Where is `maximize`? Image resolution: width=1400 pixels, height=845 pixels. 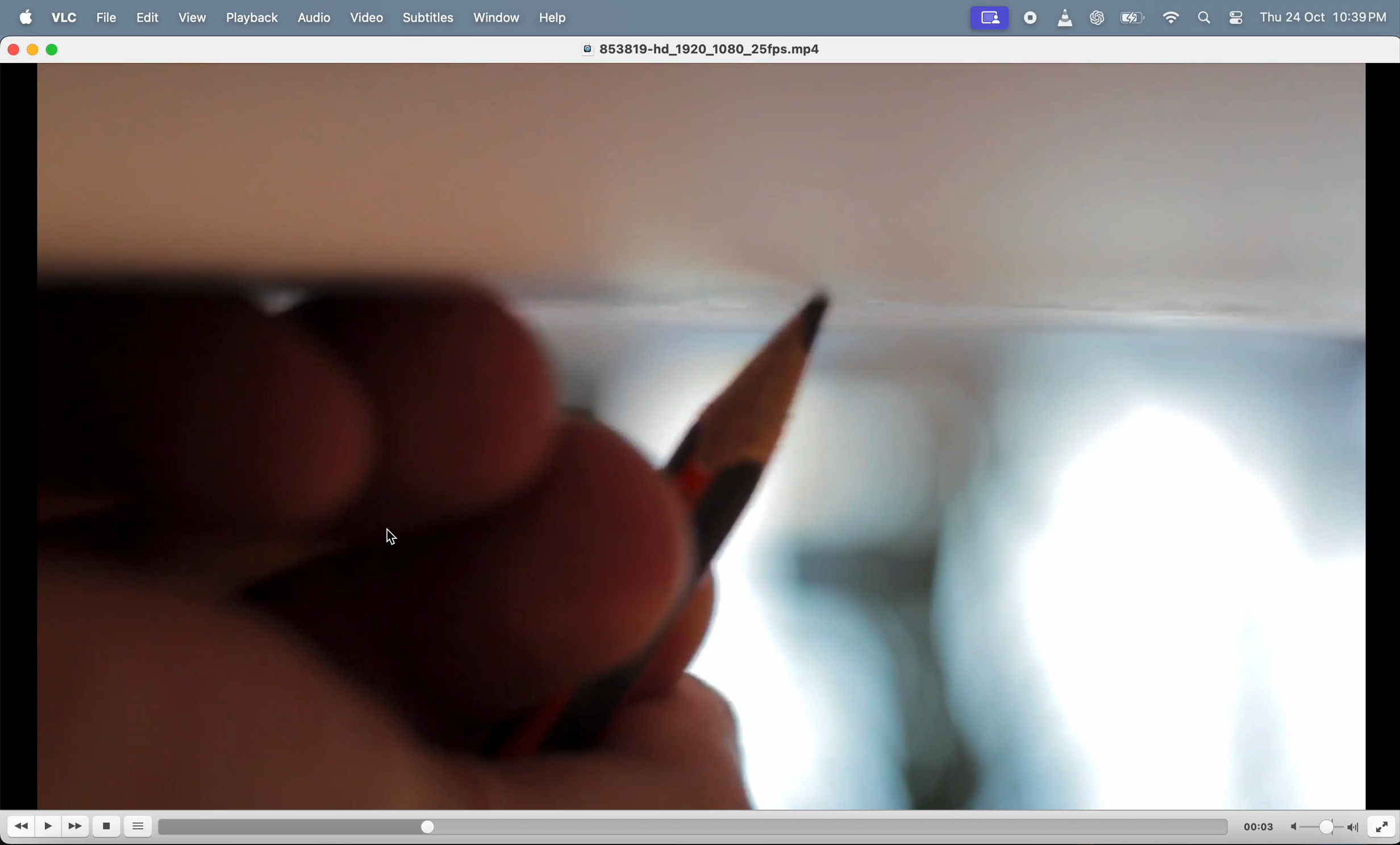 maximize is located at coordinates (58, 50).